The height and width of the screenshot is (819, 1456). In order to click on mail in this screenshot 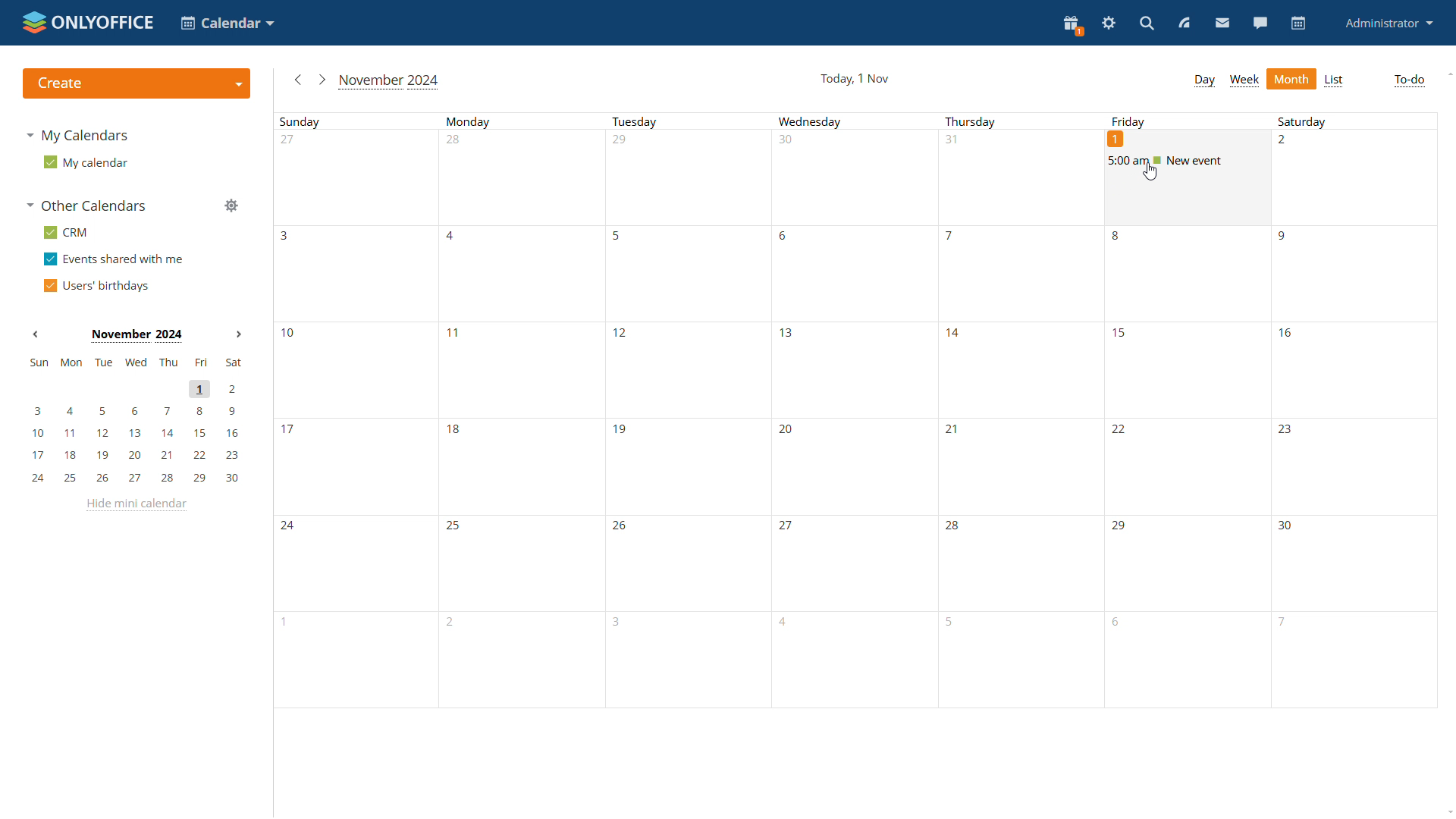, I will do `click(1221, 23)`.